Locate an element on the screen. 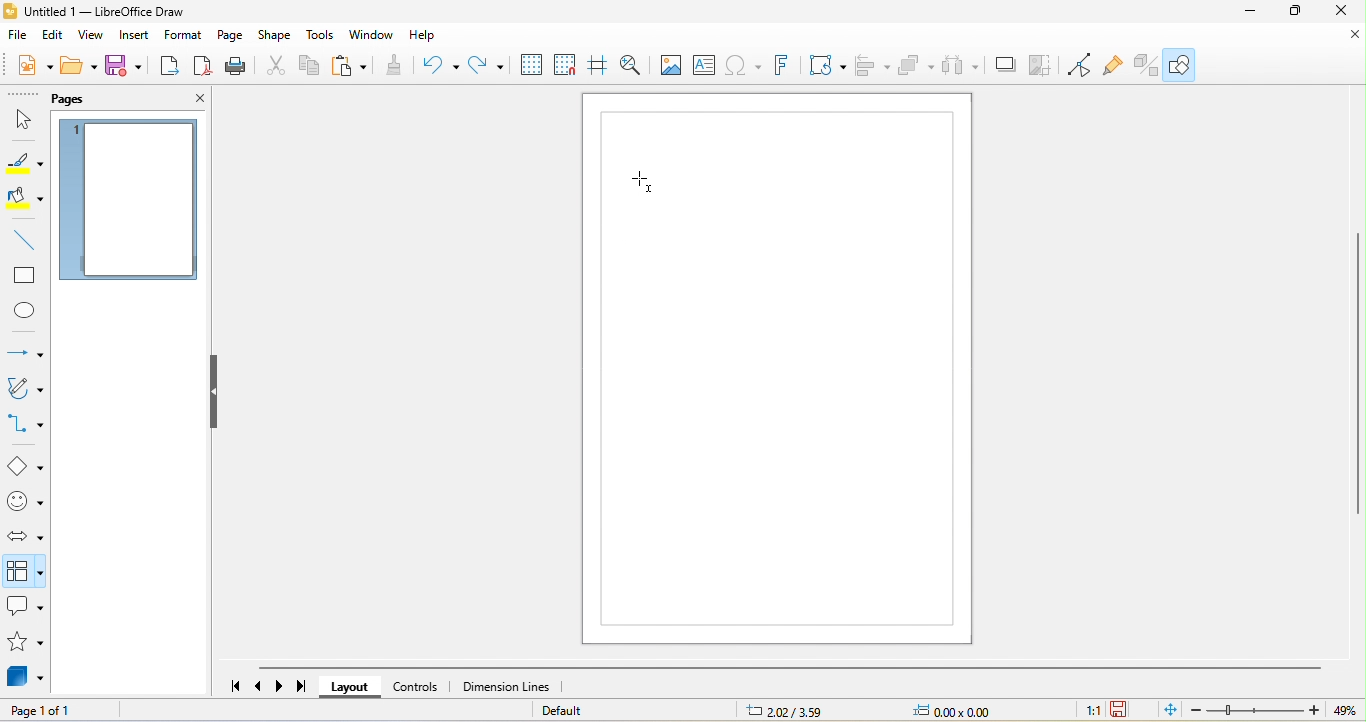  clone formatting is located at coordinates (396, 67).